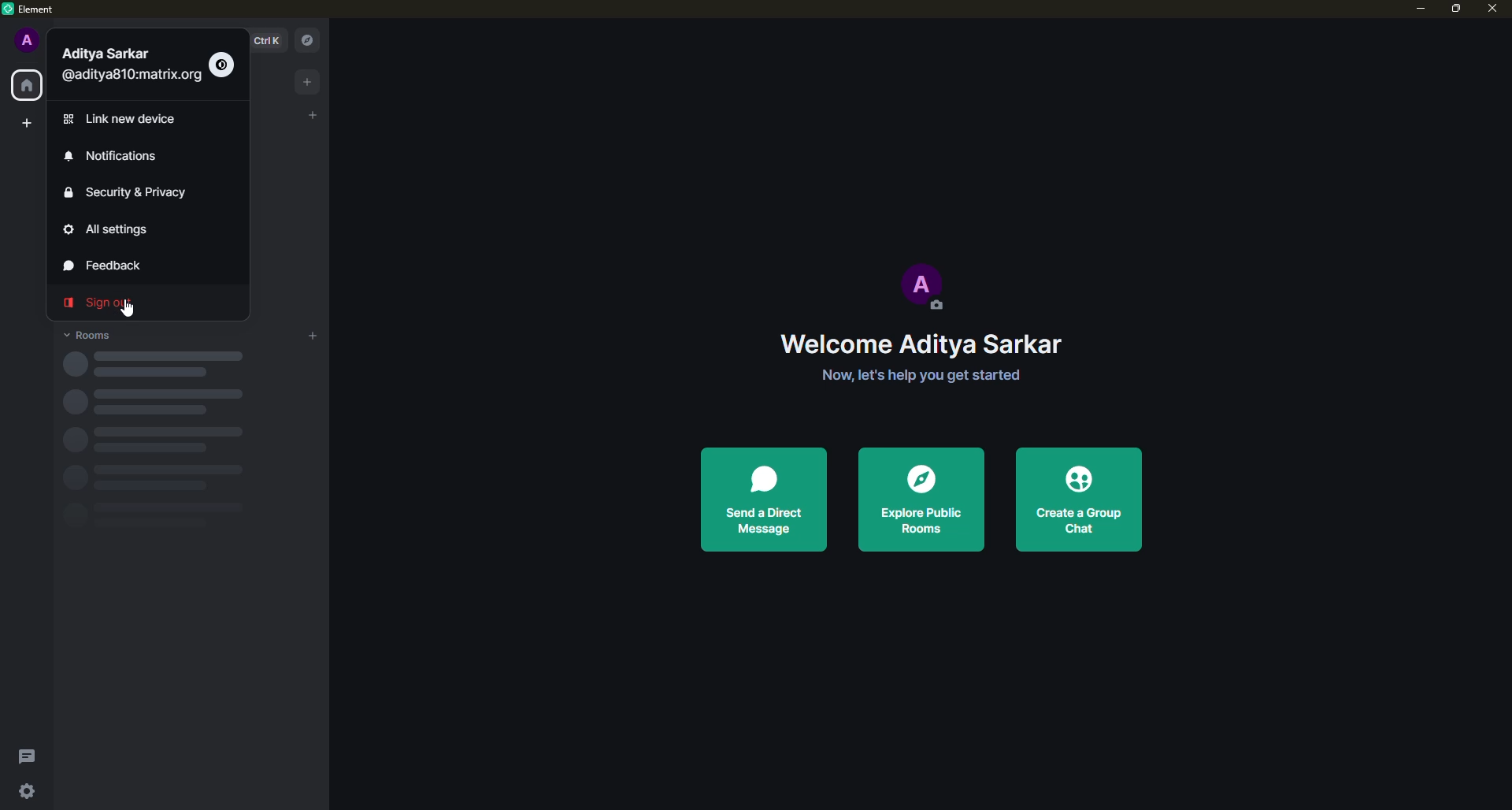 The image size is (1512, 810). I want to click on profile picture, so click(927, 288).